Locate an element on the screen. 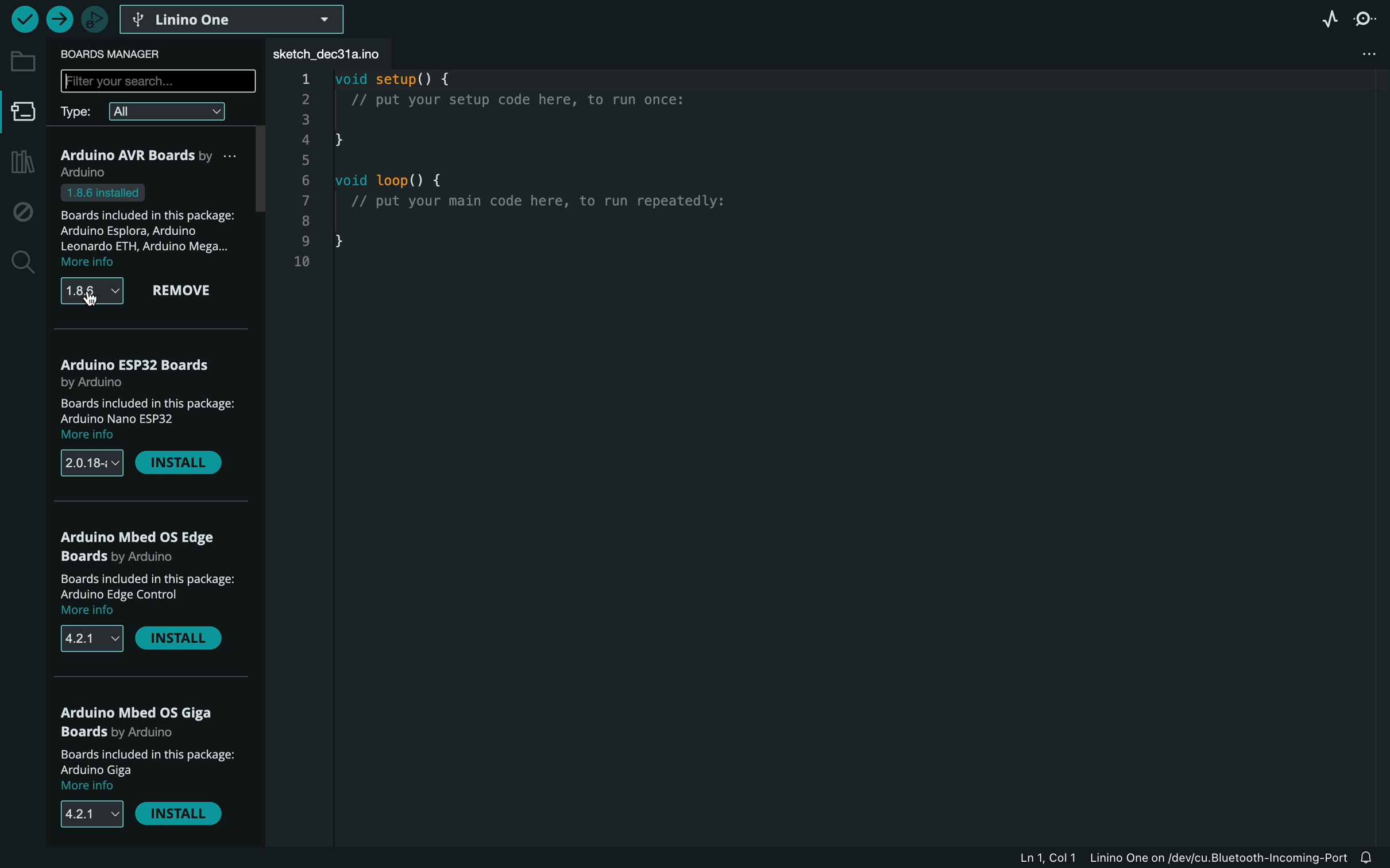 This screenshot has height=868, width=1390. 2 is located at coordinates (304, 100).